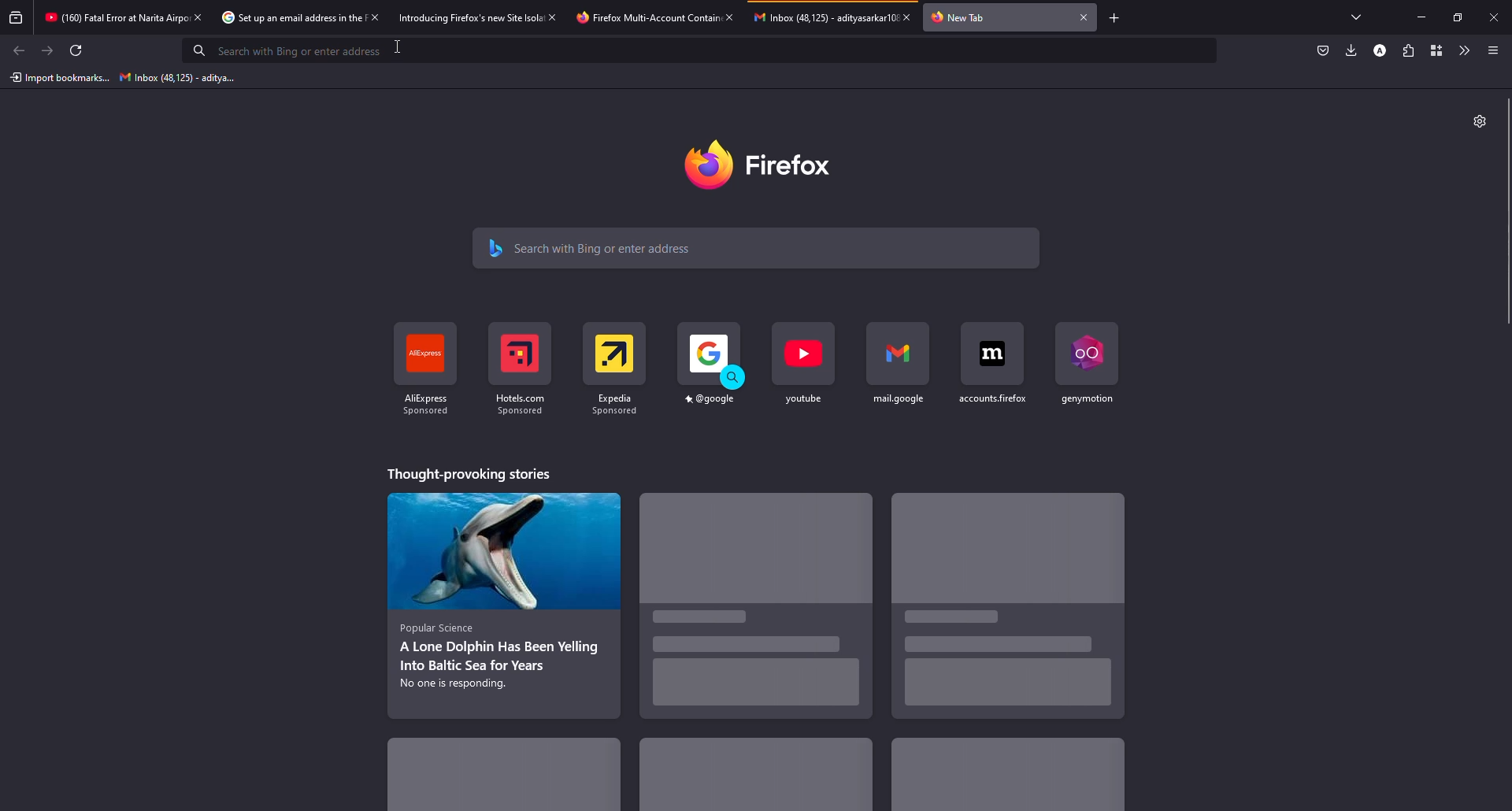 Image resolution: width=1512 pixels, height=811 pixels. Describe the element at coordinates (1380, 51) in the screenshot. I see `profile` at that location.